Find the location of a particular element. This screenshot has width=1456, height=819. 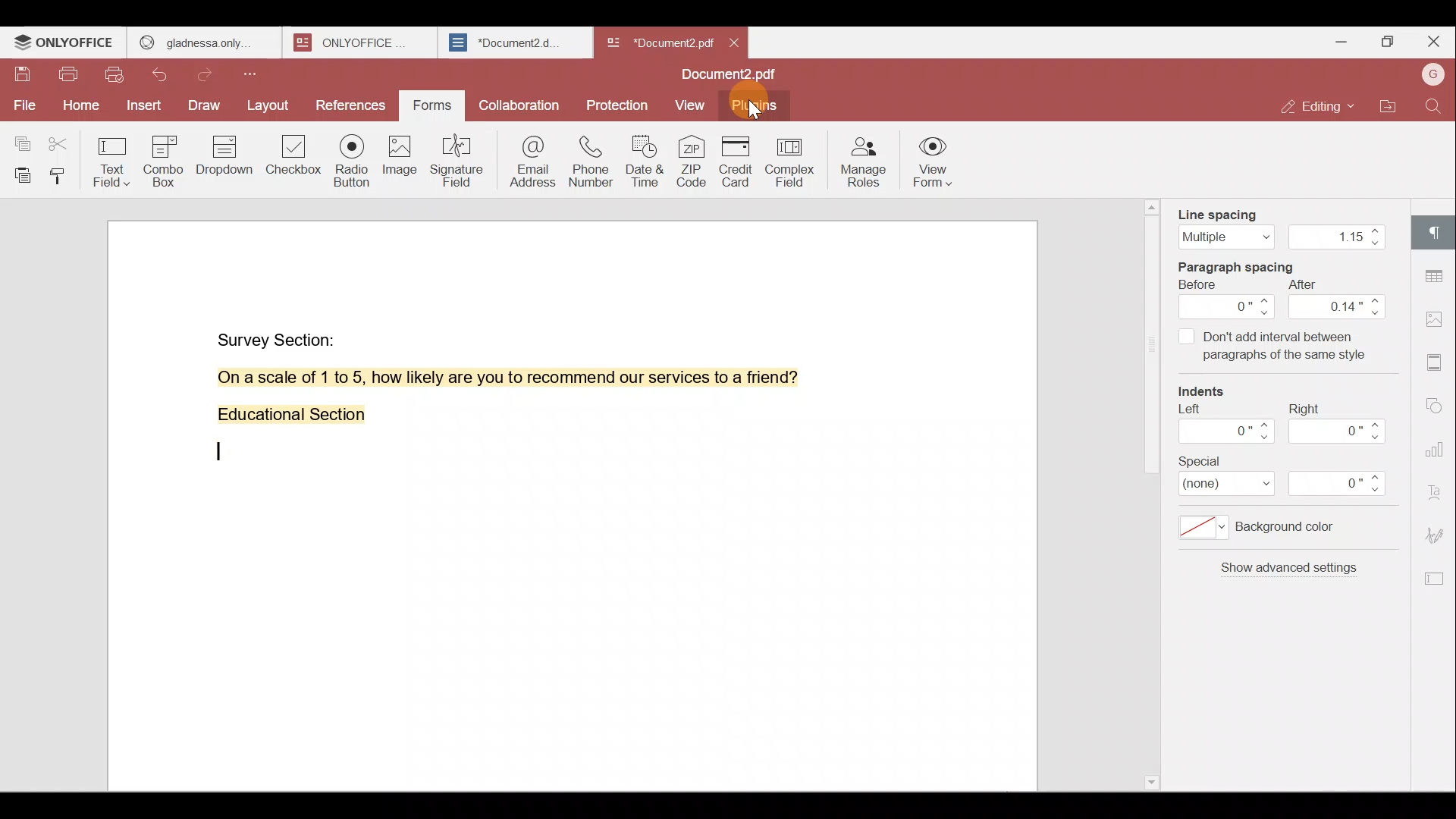

Indents is located at coordinates (1210, 393).